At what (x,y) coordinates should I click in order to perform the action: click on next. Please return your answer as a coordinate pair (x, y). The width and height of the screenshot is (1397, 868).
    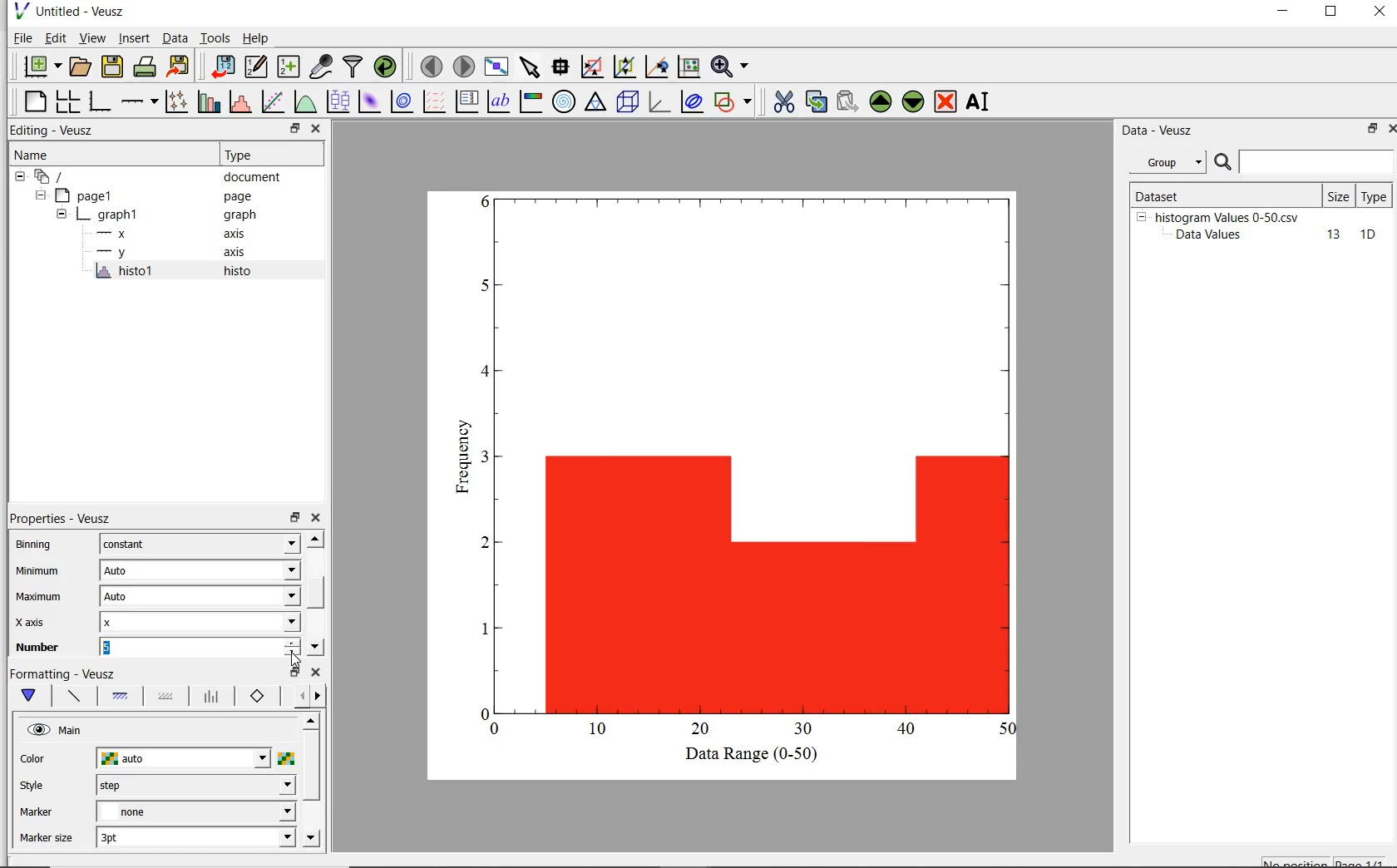
    Looking at the image, I should click on (318, 698).